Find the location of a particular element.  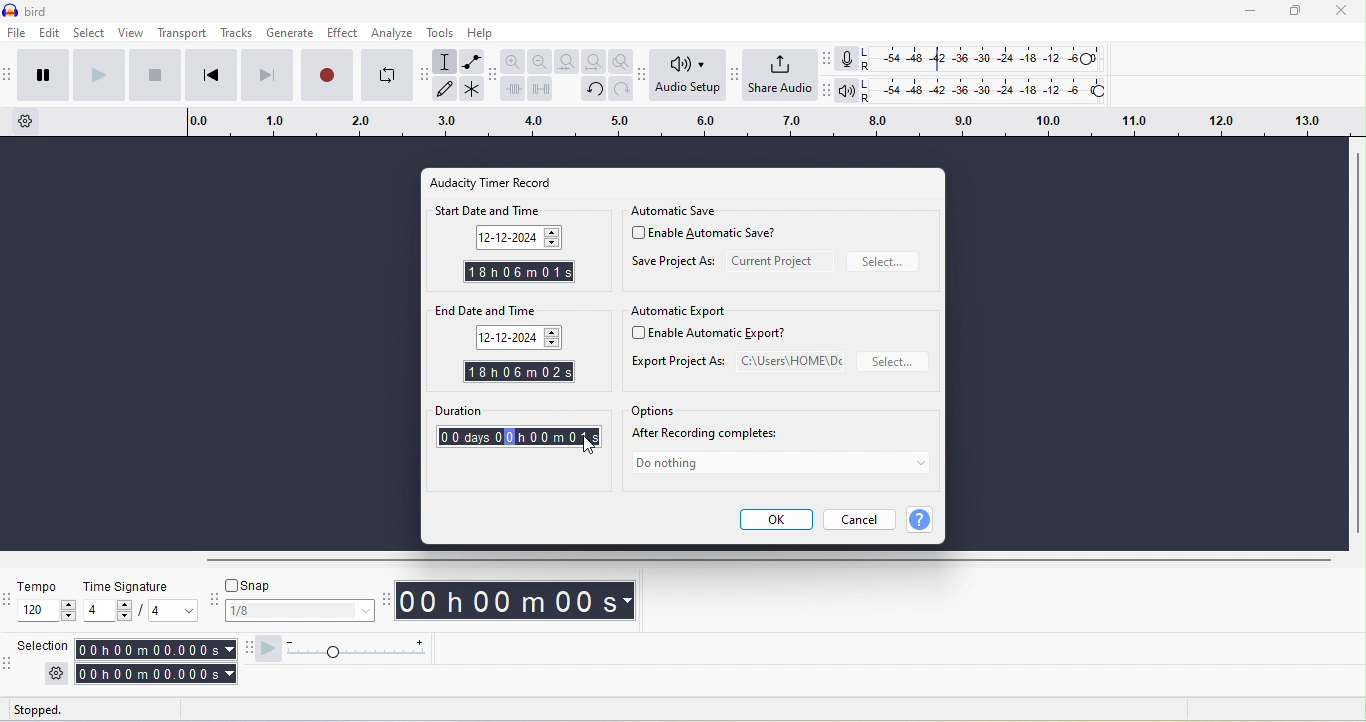

options is located at coordinates (654, 411).